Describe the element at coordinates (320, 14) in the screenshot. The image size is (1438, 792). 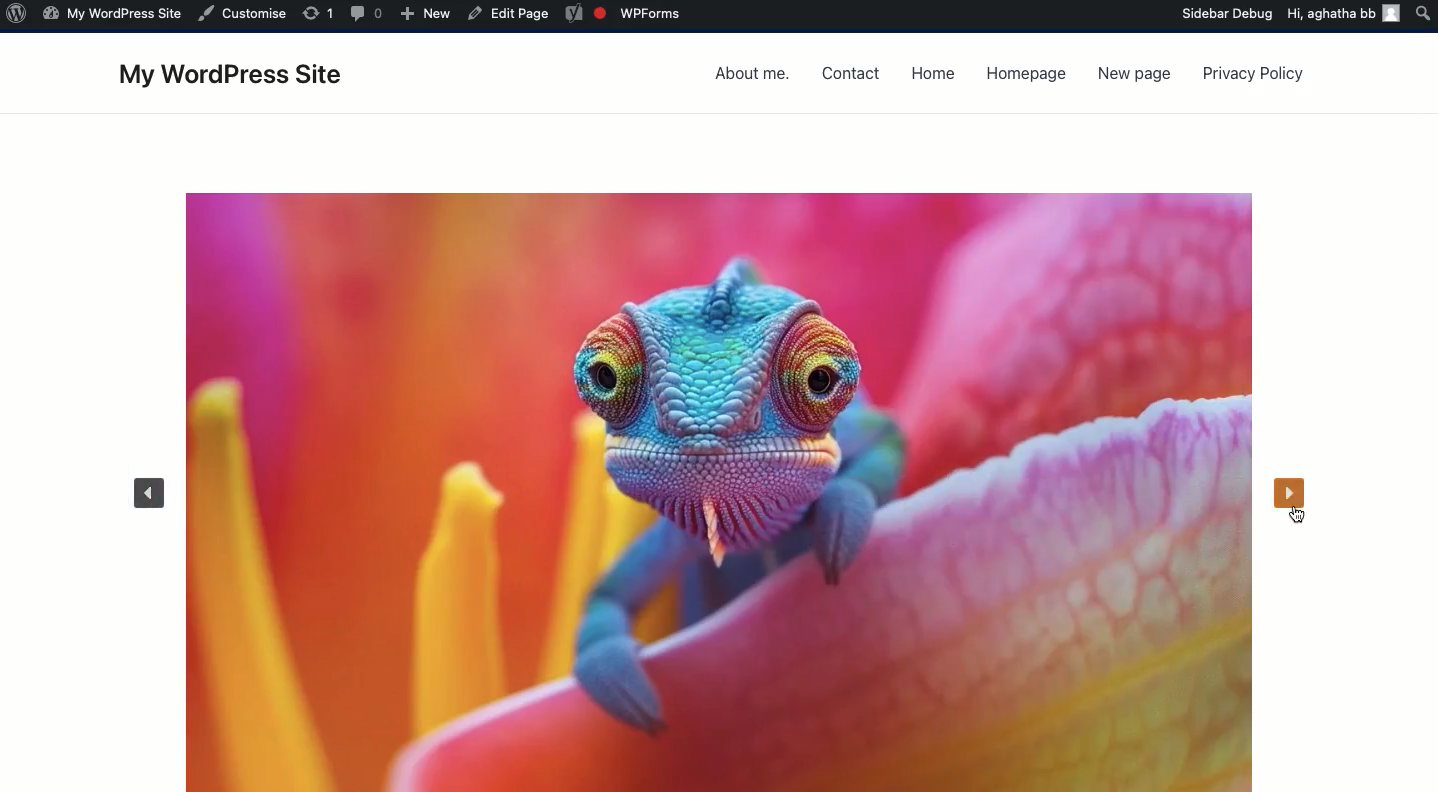
I see `` at that location.